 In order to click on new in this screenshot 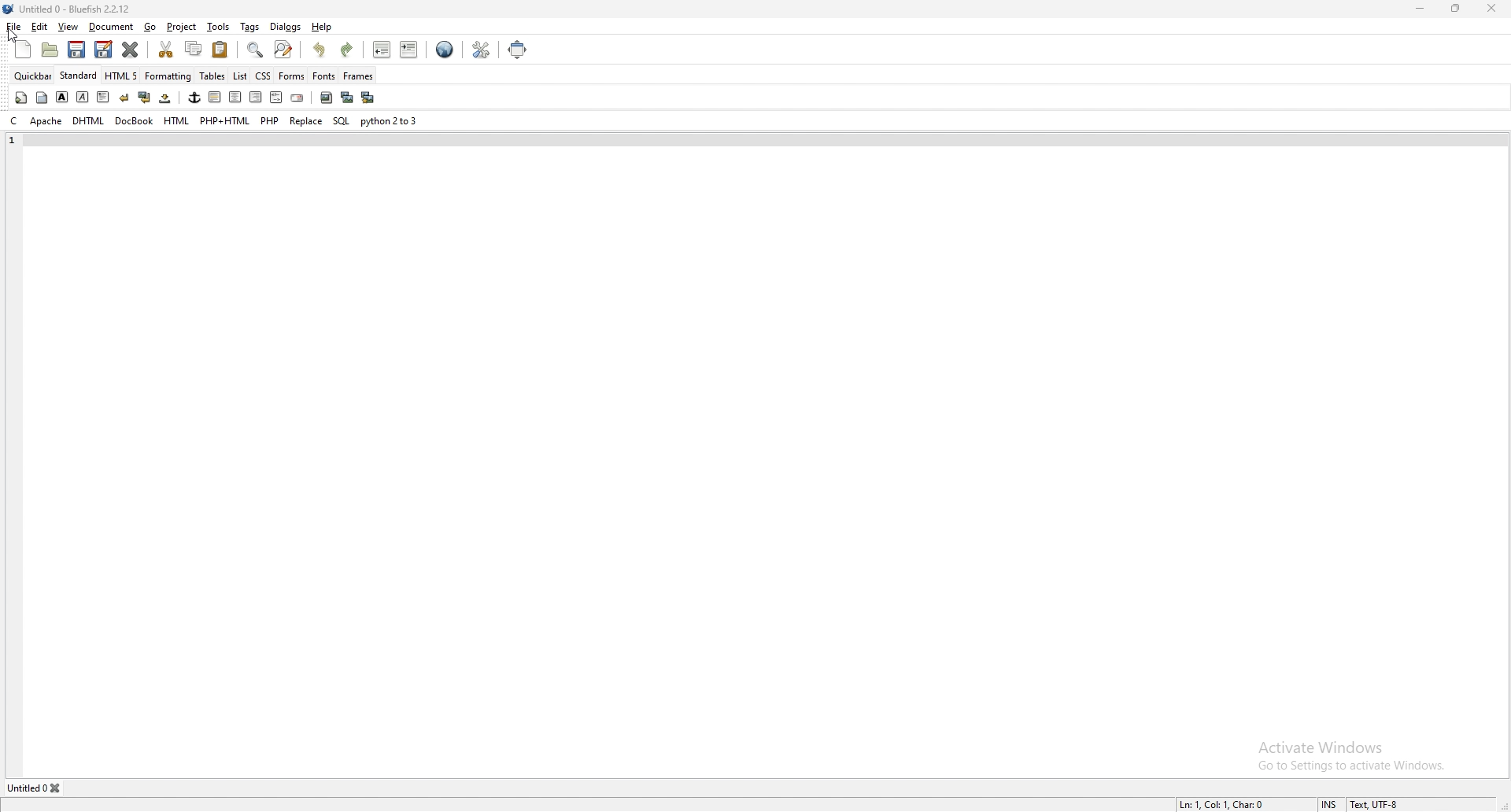, I will do `click(23, 50)`.